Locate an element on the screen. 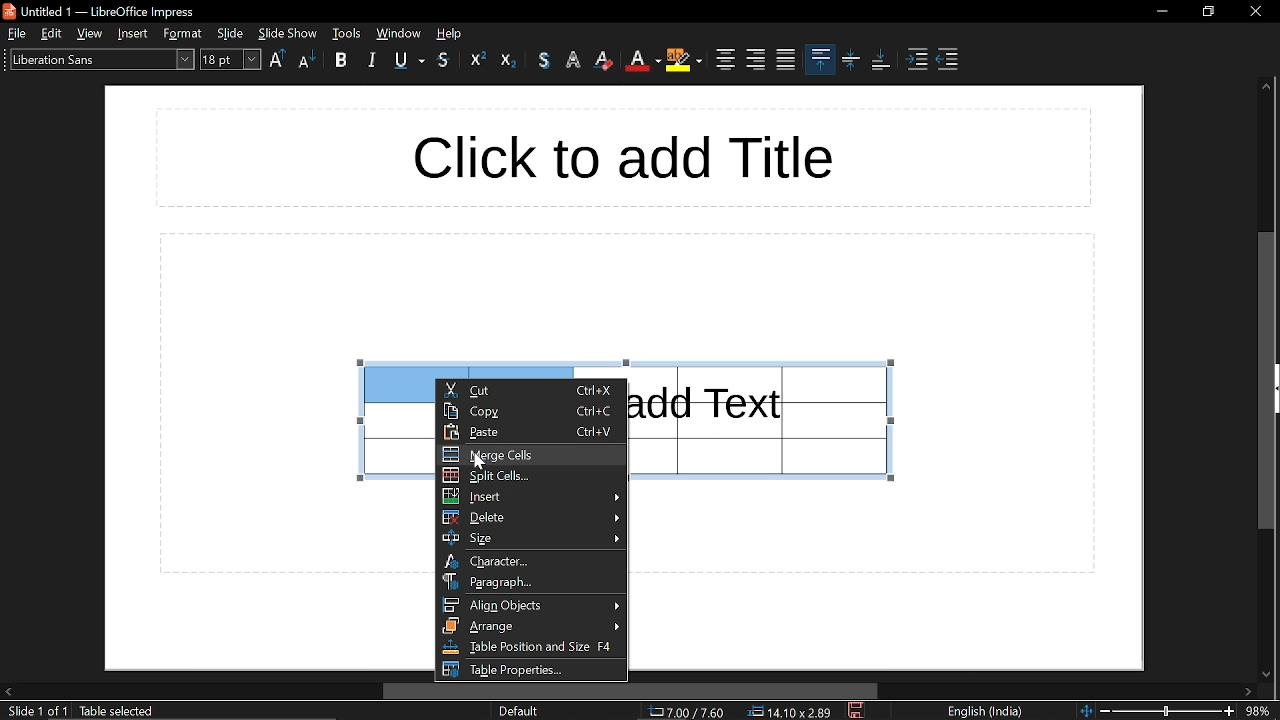 Image resolution: width=1280 pixels, height=720 pixels. highlight is located at coordinates (683, 62).